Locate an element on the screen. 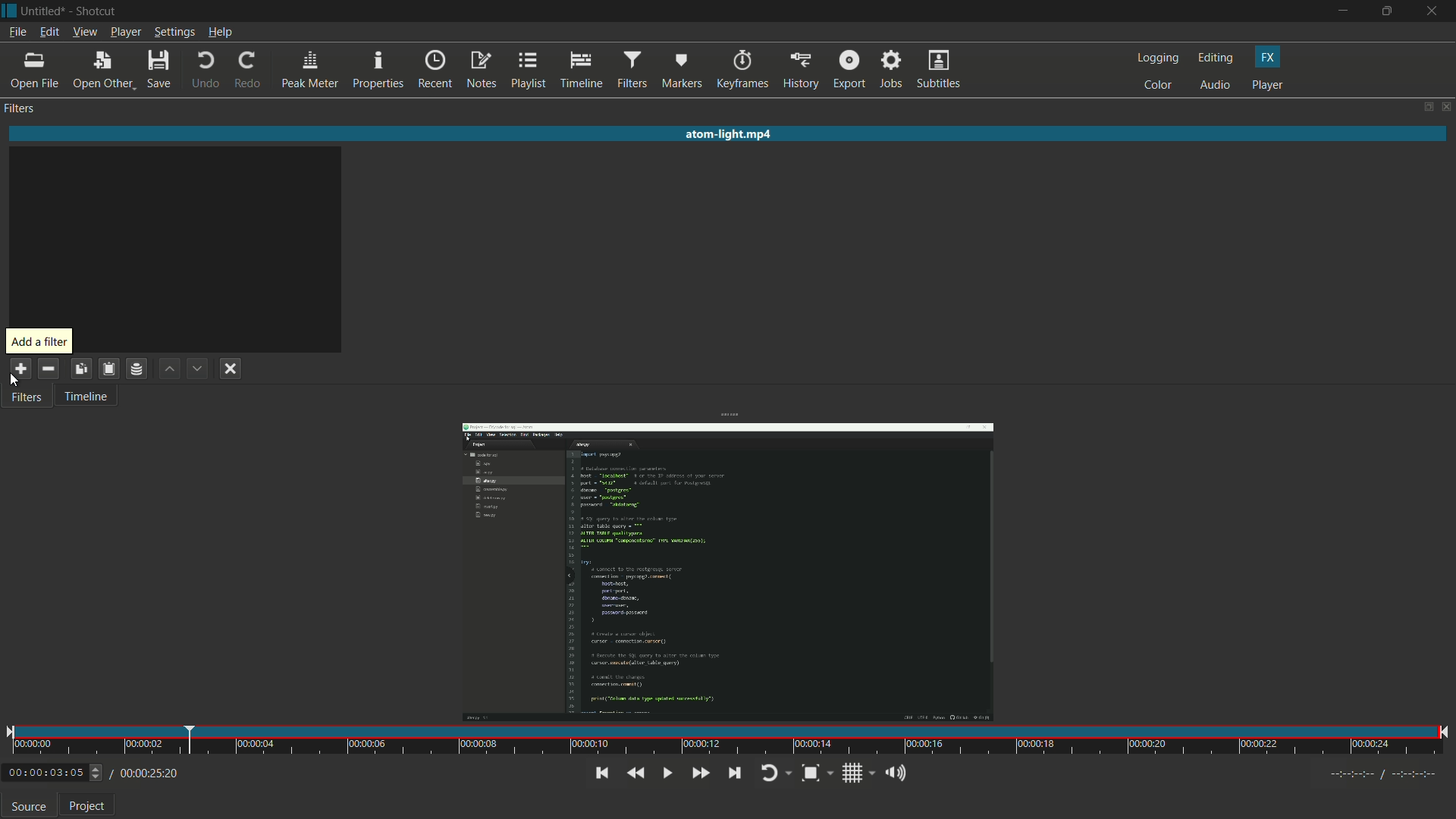  keyframes is located at coordinates (743, 69).